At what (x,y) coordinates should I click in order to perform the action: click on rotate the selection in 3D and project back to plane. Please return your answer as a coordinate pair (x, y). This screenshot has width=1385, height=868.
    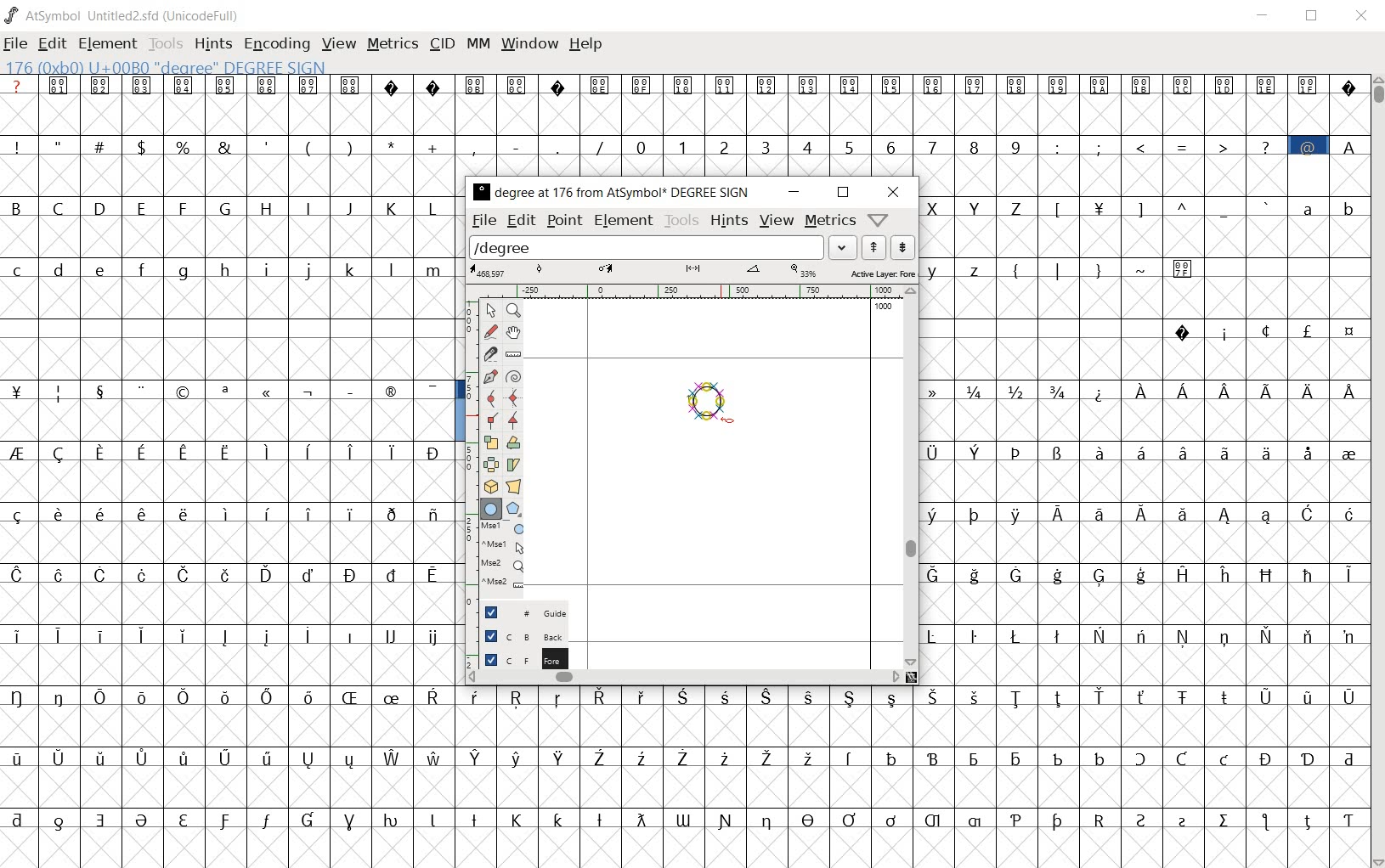
    Looking at the image, I should click on (488, 487).